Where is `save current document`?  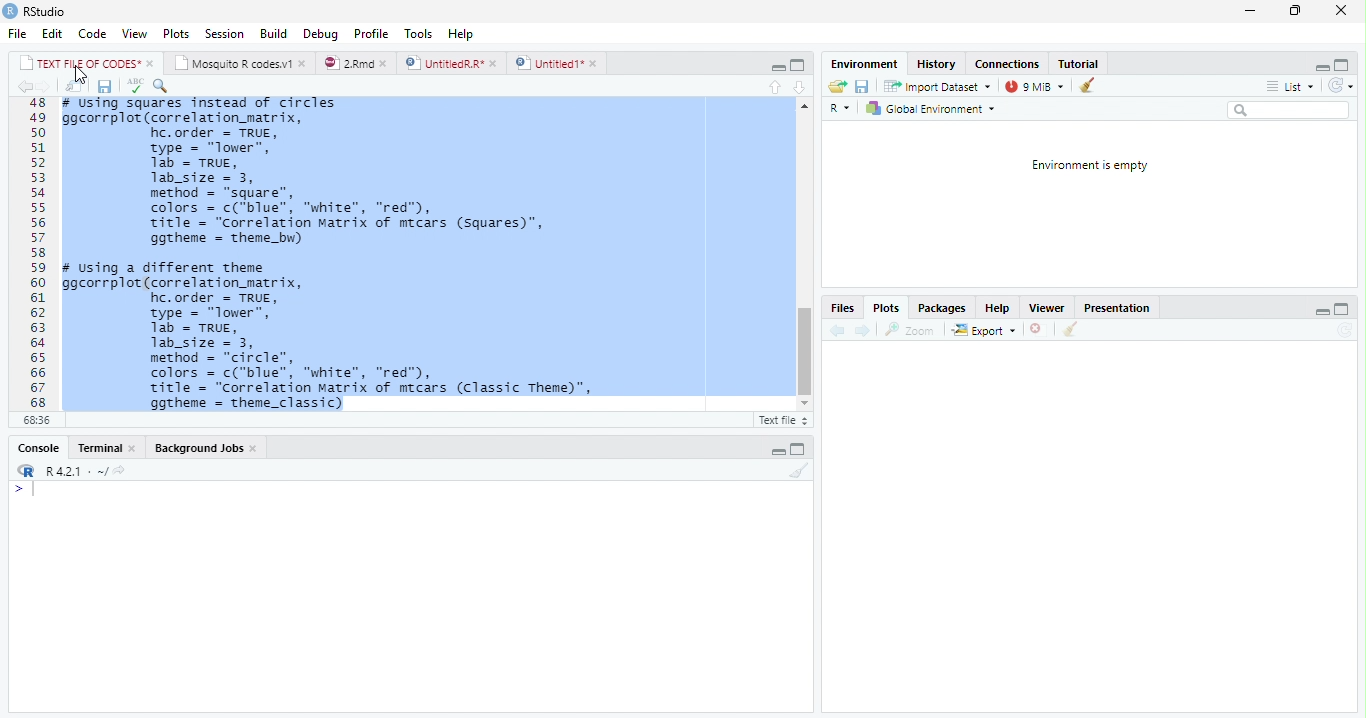
save current document is located at coordinates (105, 86).